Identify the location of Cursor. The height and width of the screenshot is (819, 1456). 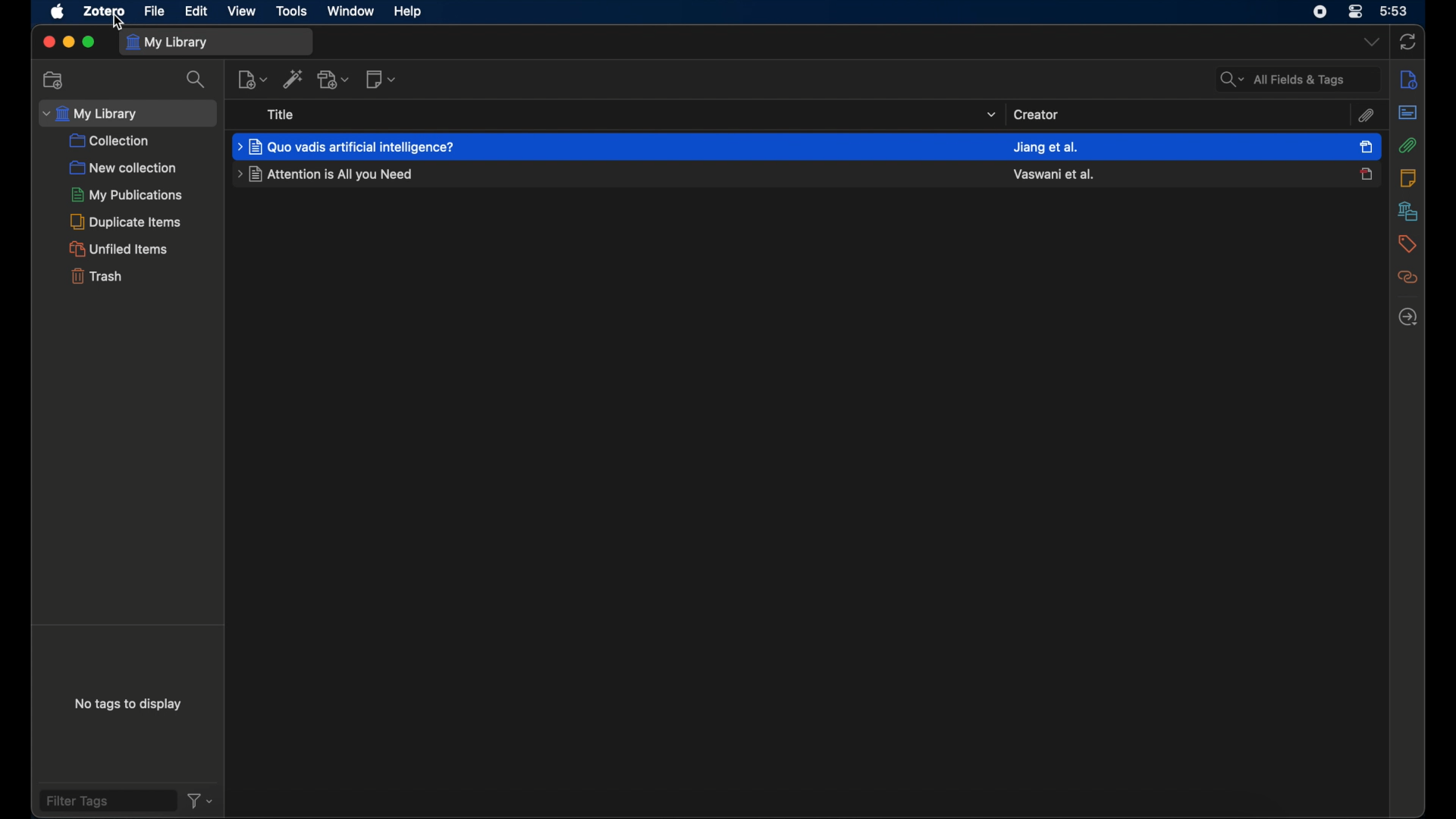
(118, 22).